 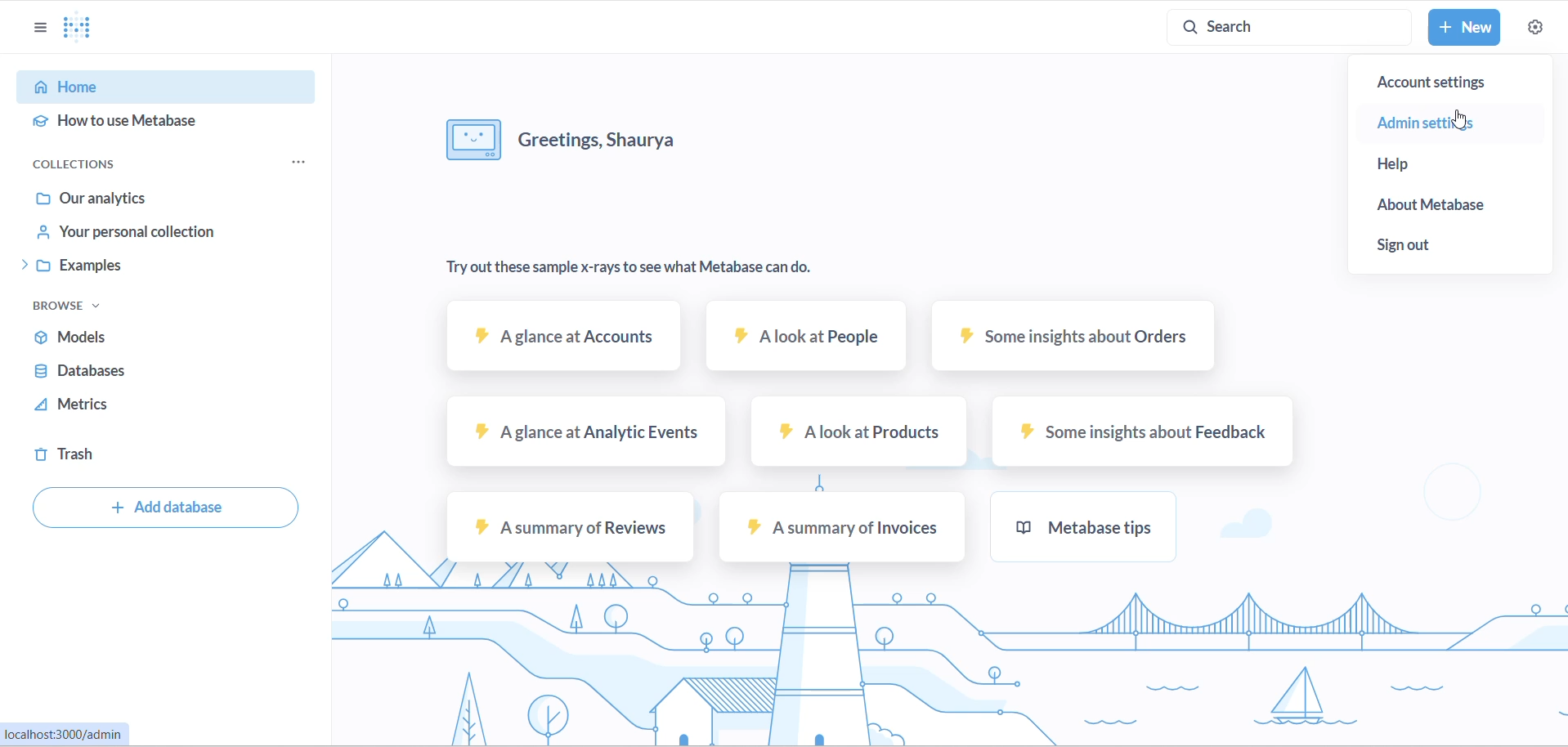 What do you see at coordinates (307, 161) in the screenshot?
I see `collections options` at bounding box center [307, 161].